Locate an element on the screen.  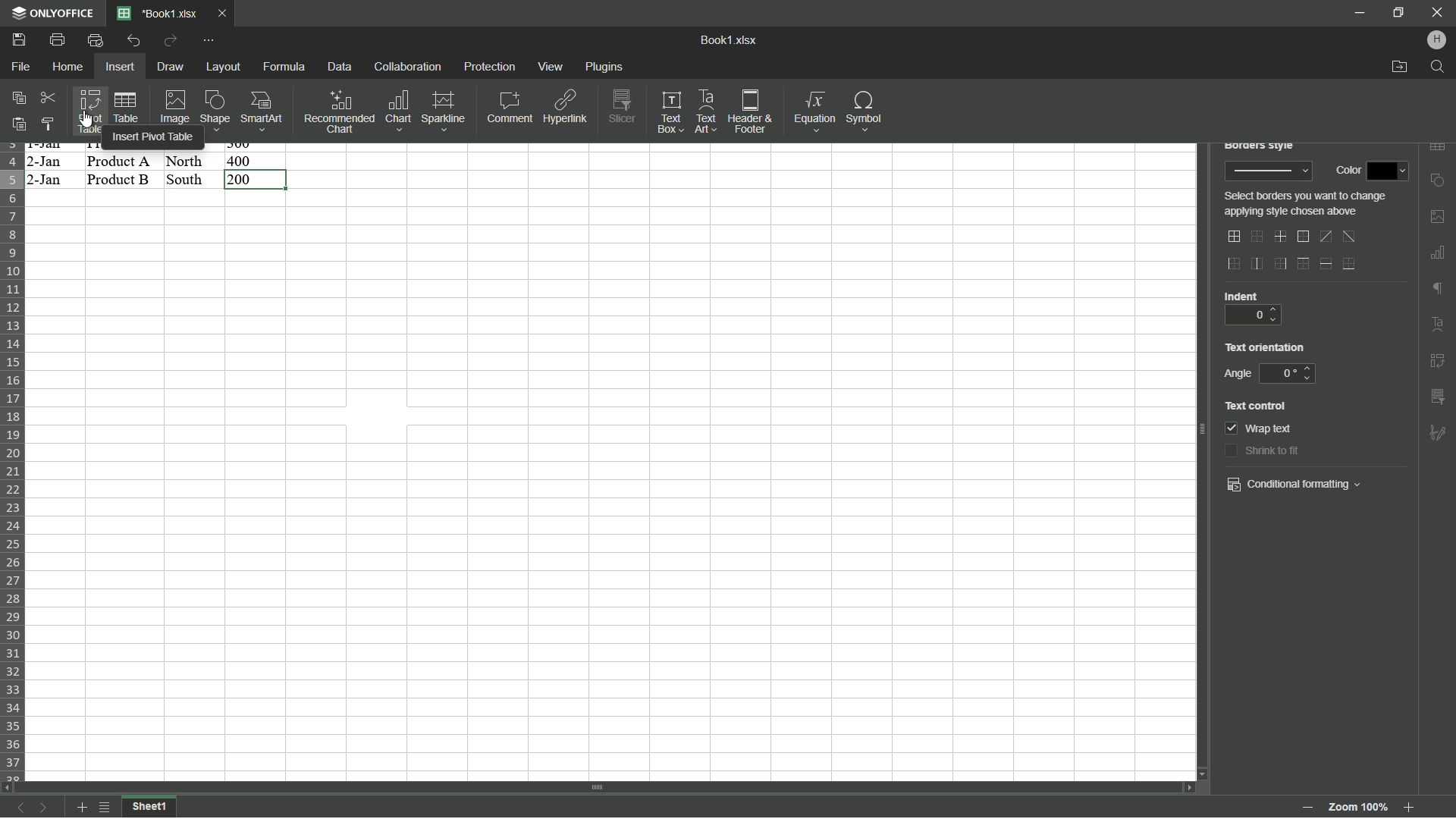
text is located at coordinates (1305, 203).